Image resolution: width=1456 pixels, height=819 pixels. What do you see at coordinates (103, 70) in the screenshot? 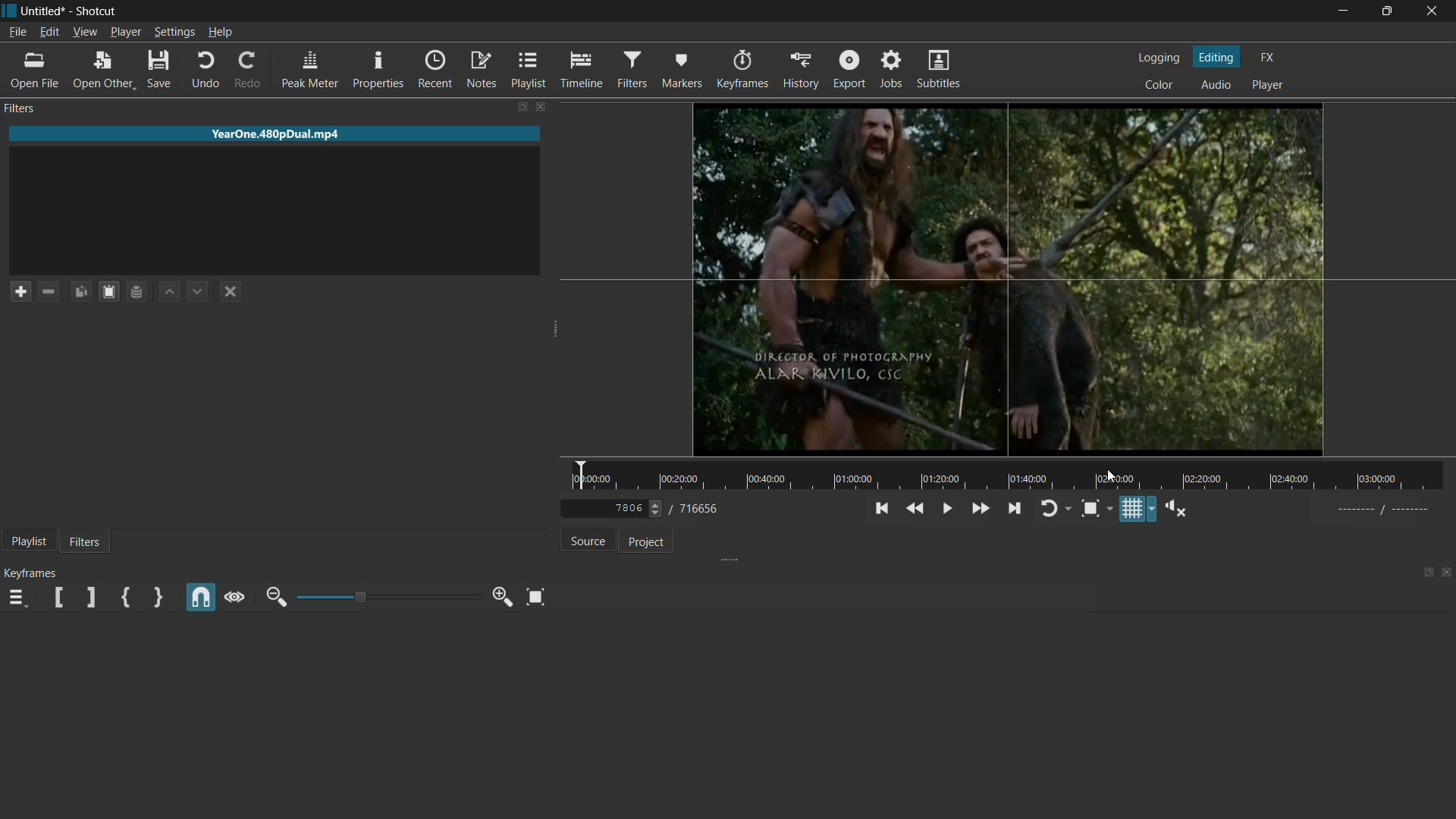
I see `open other` at bounding box center [103, 70].